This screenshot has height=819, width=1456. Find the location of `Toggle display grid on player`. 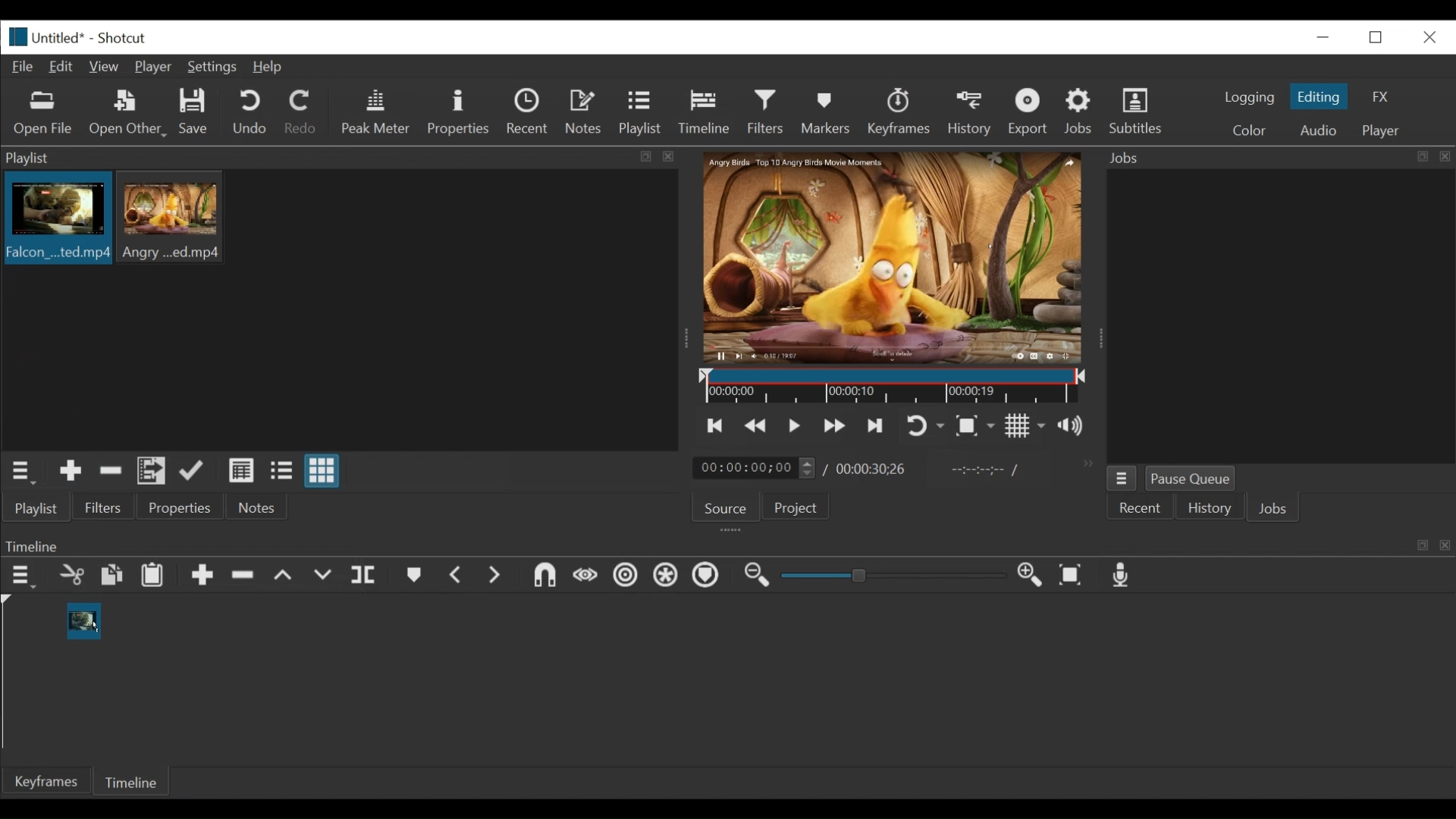

Toggle display grid on player is located at coordinates (1025, 425).